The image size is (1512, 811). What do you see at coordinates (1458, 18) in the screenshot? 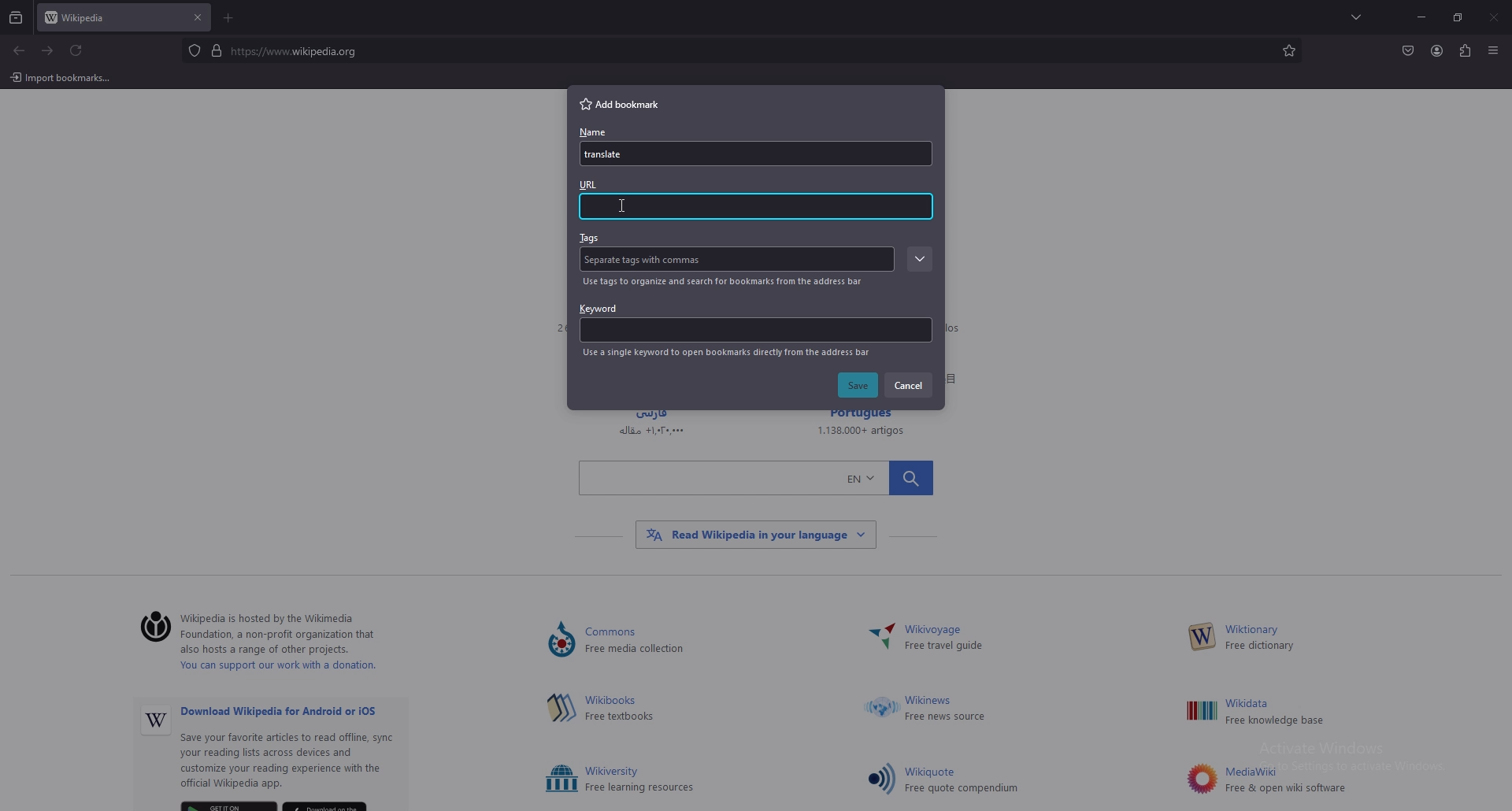
I see `resize` at bounding box center [1458, 18].